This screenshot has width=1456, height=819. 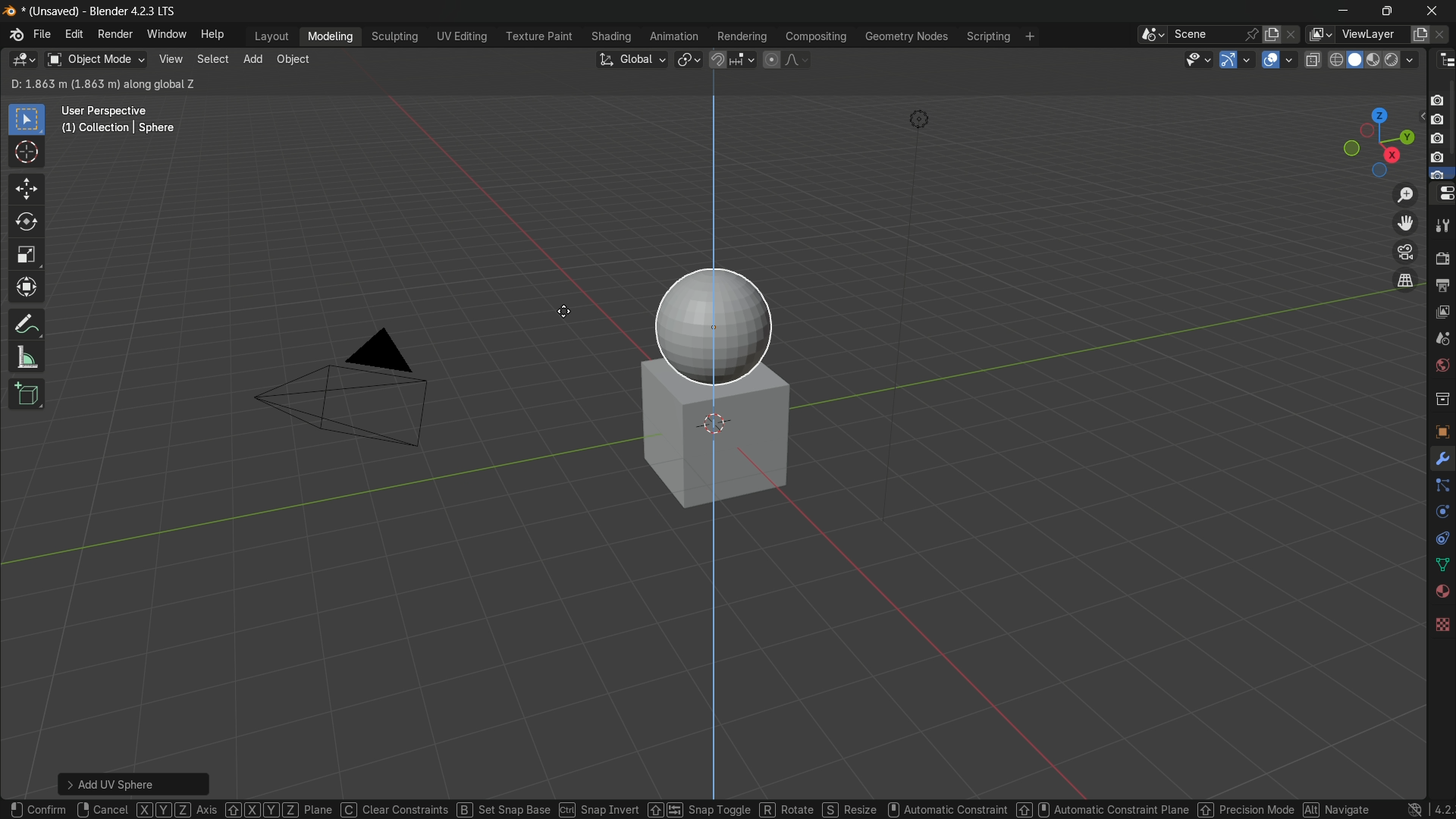 What do you see at coordinates (1375, 140) in the screenshot?
I see `rotate and preset viewpoint` at bounding box center [1375, 140].